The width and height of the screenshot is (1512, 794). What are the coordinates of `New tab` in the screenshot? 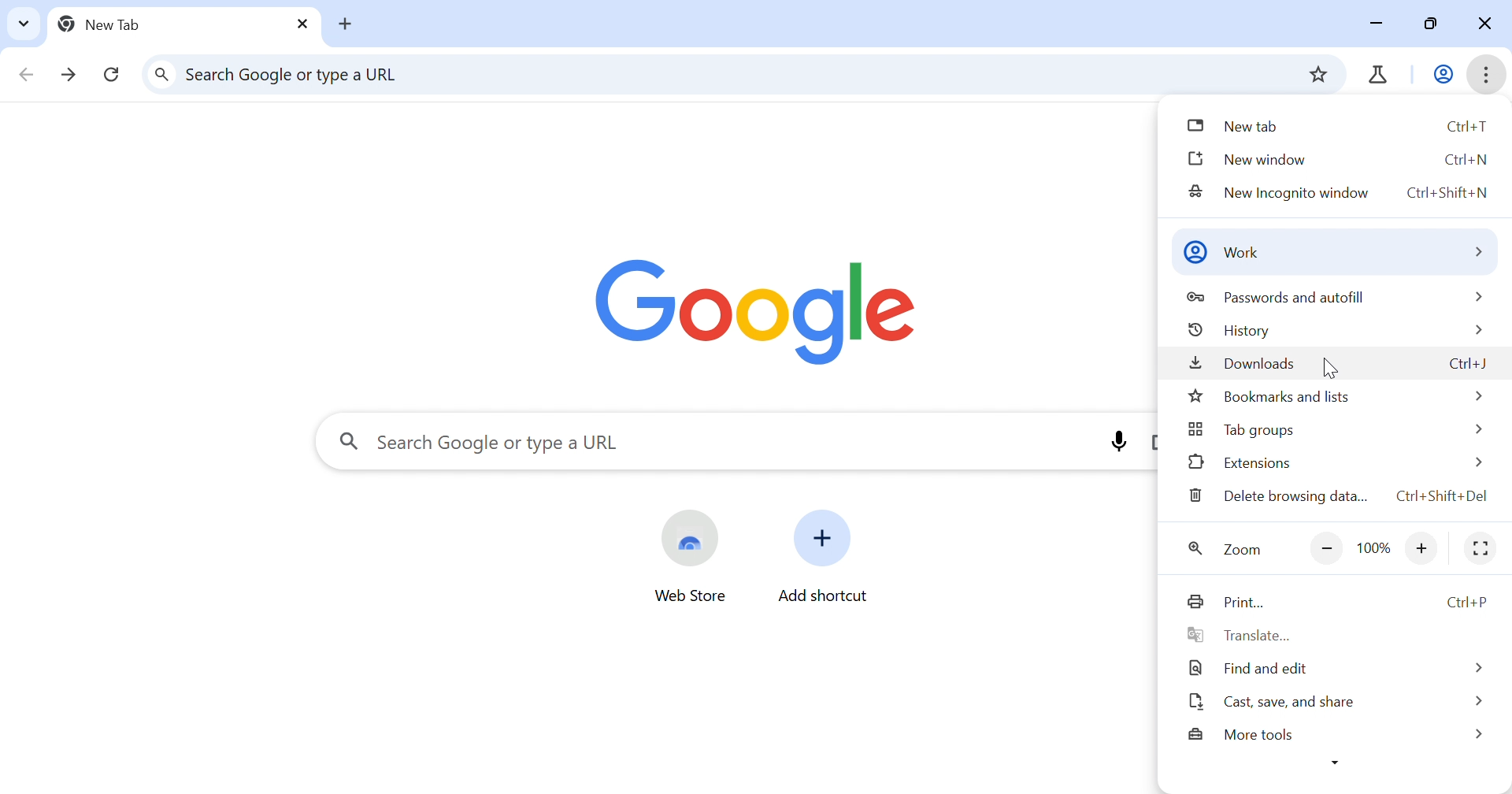 It's located at (347, 25).